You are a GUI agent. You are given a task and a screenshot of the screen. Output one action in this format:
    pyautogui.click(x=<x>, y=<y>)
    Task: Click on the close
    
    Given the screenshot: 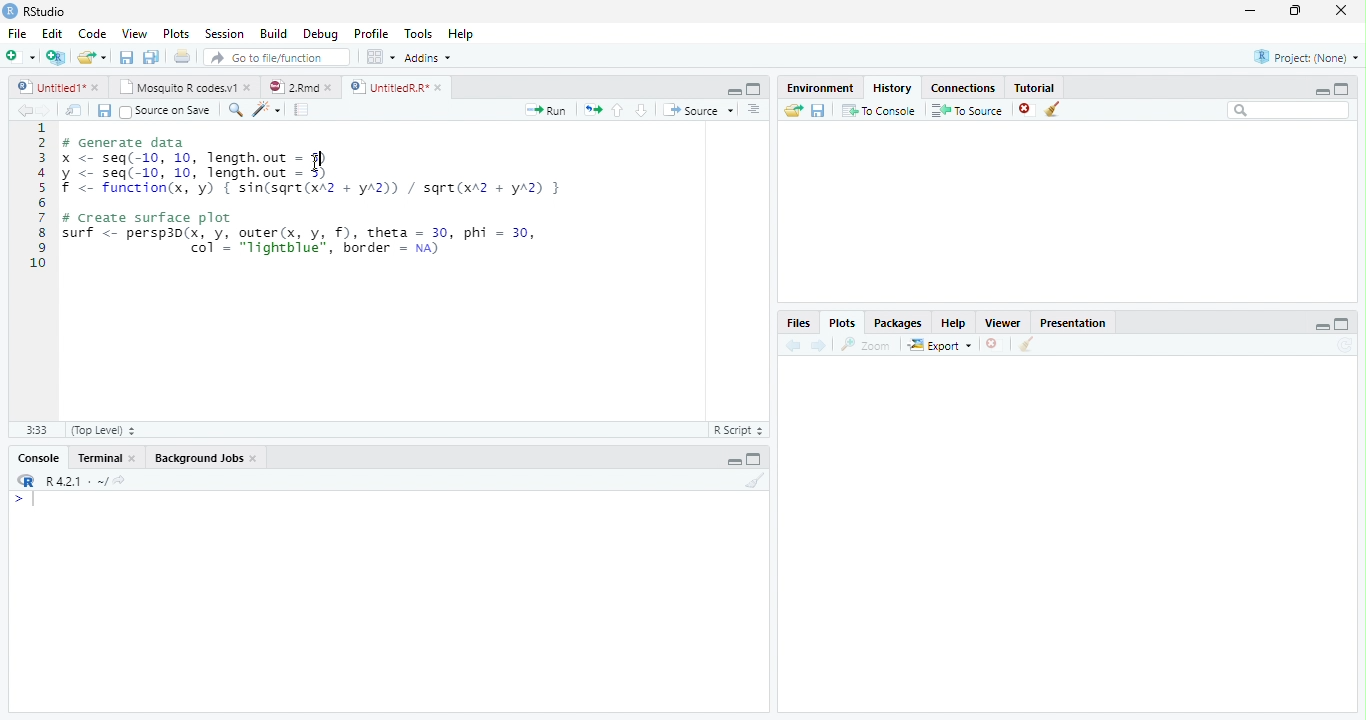 What is the action you would take?
    pyautogui.click(x=96, y=87)
    